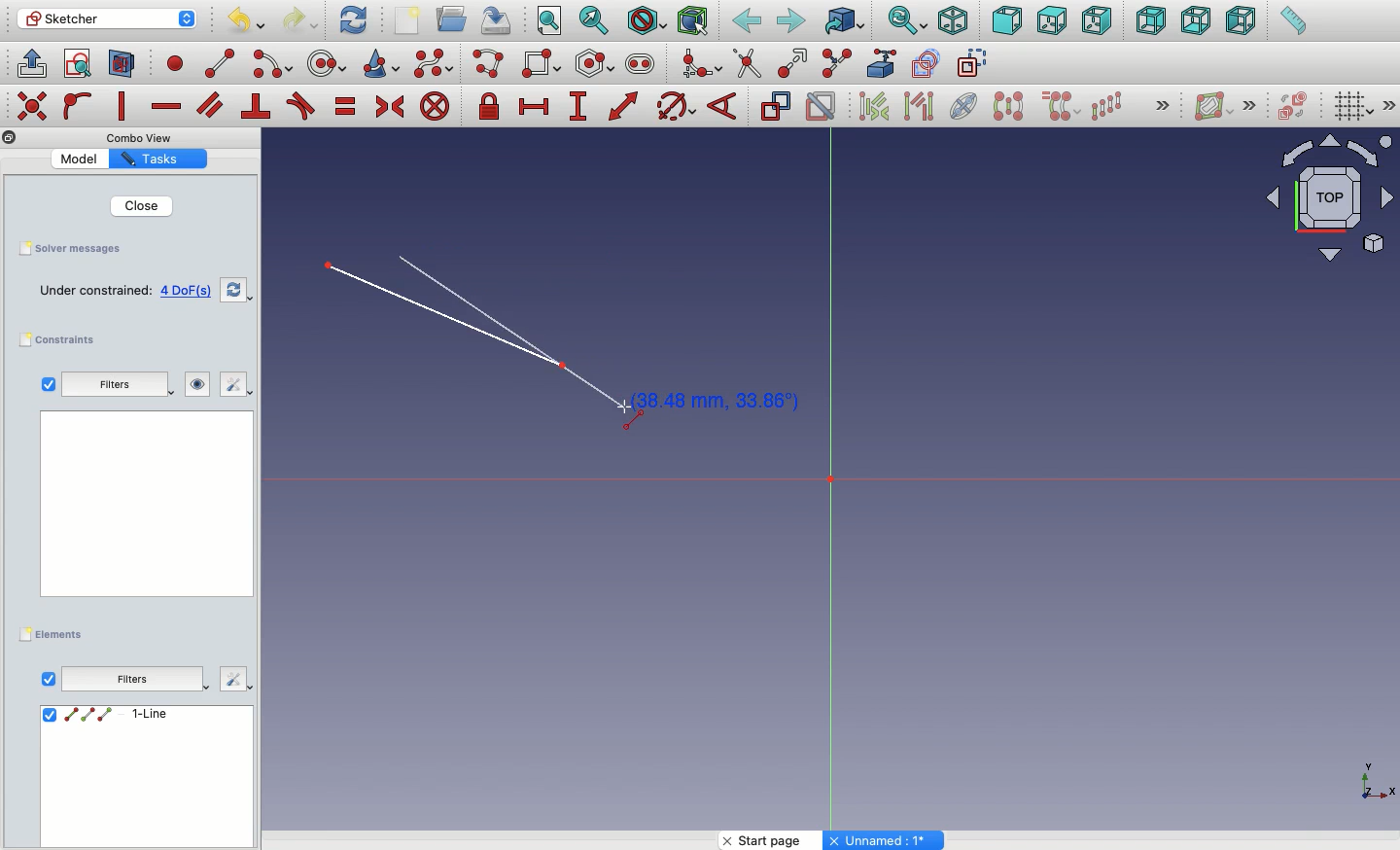 Image resolution: width=1400 pixels, height=850 pixels. Describe the element at coordinates (724, 106) in the screenshot. I see `Constrain angle` at that location.